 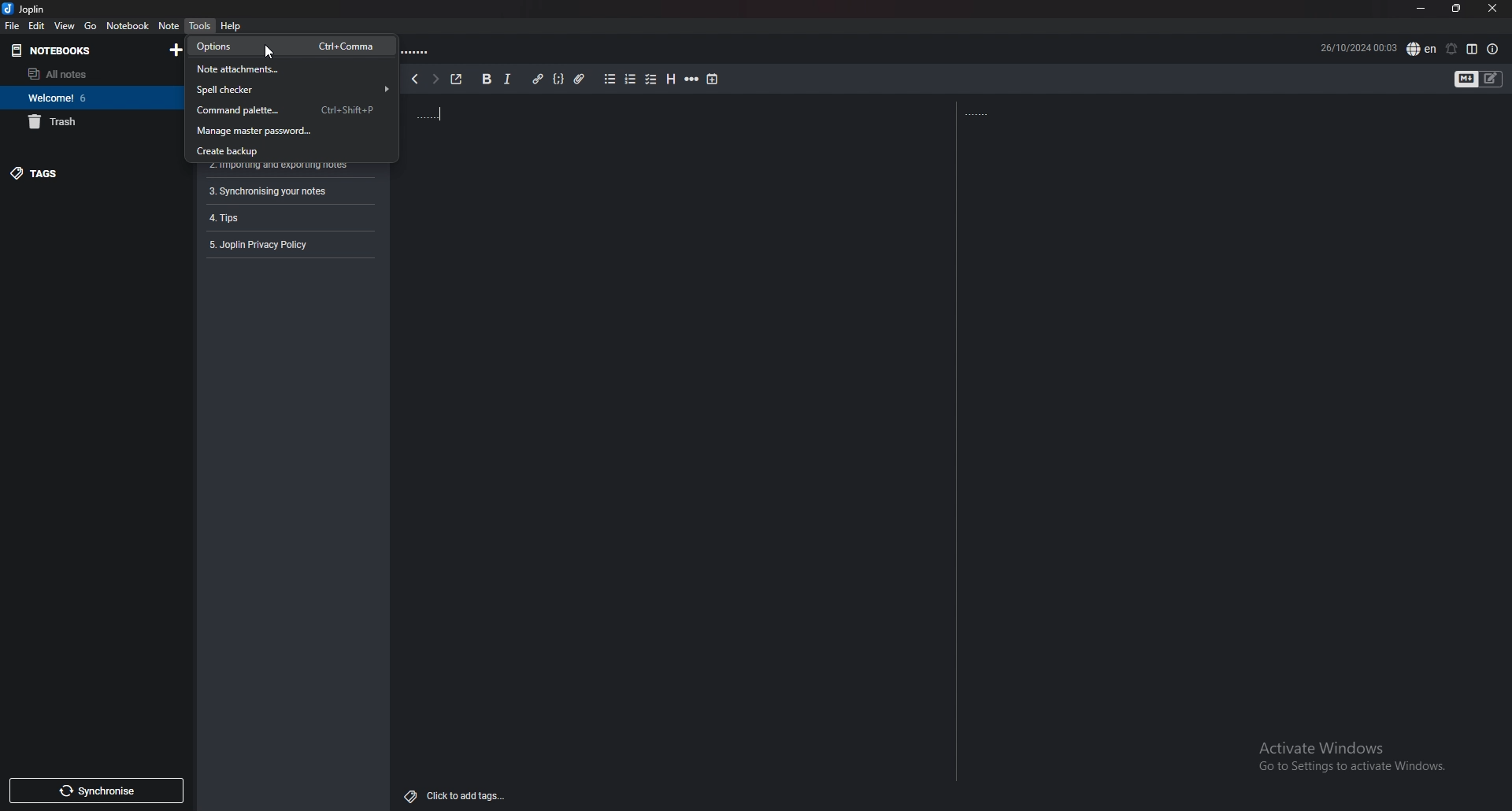 I want to click on go, so click(x=91, y=26).